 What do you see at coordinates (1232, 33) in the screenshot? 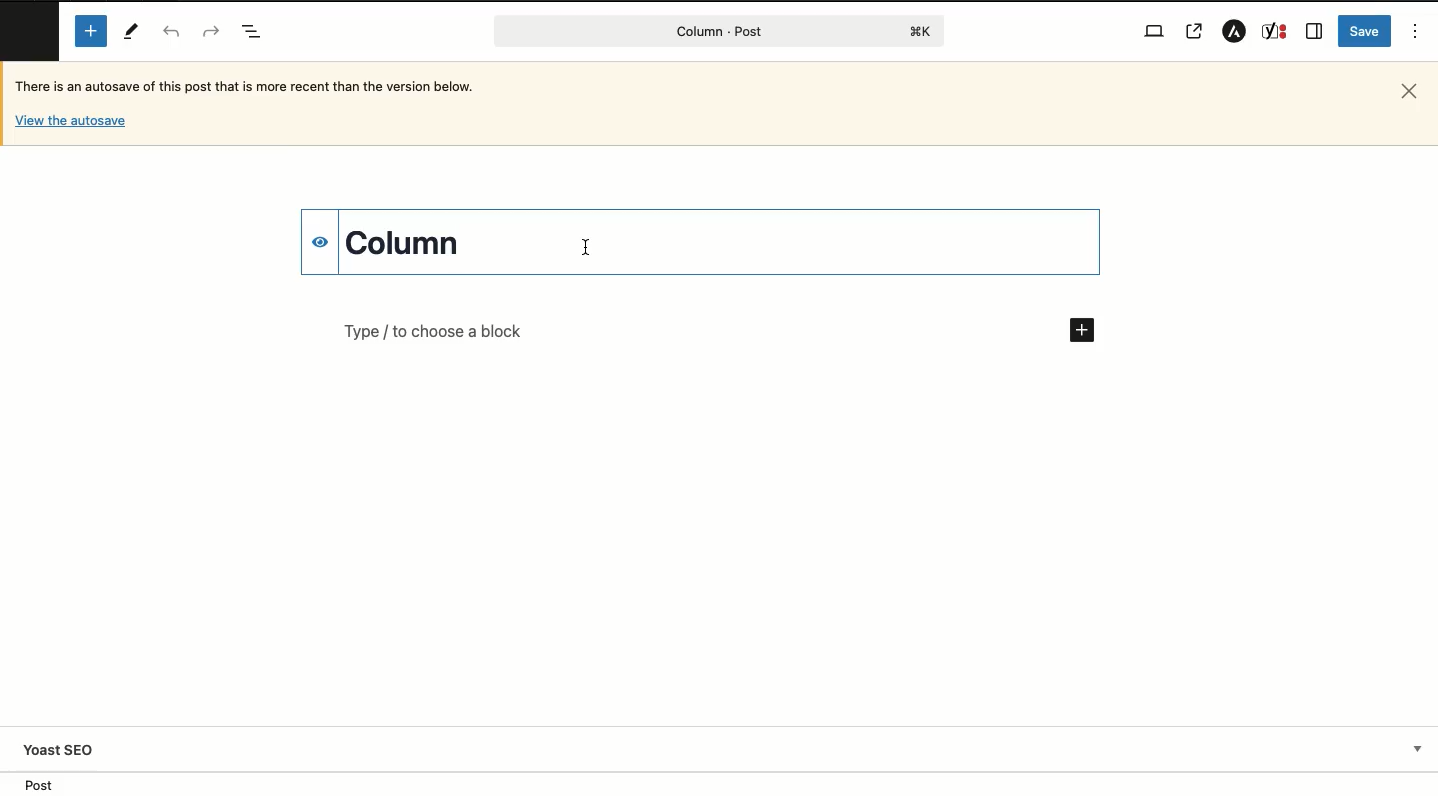
I see `Astar` at bounding box center [1232, 33].